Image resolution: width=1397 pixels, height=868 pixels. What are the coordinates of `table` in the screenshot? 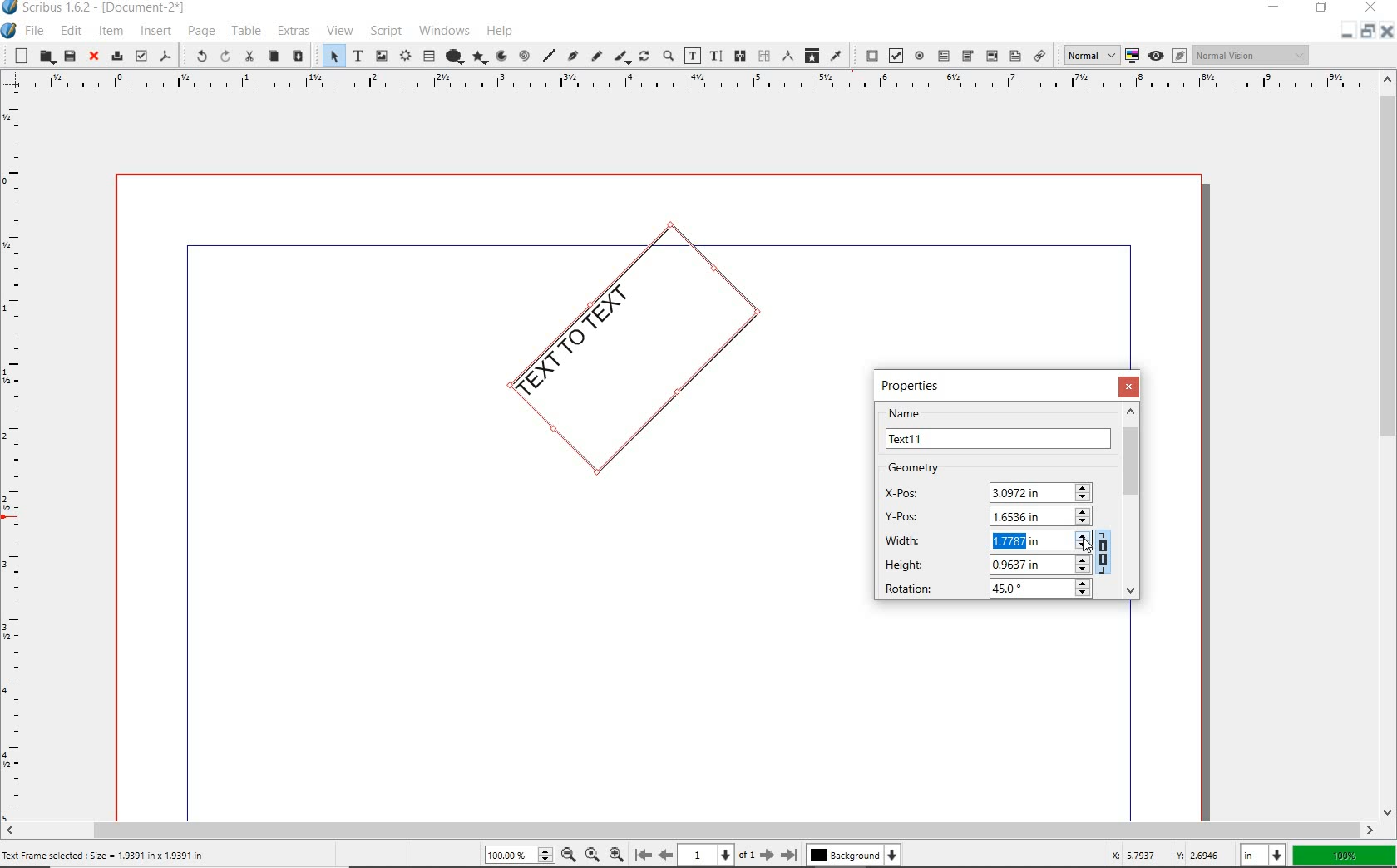 It's located at (428, 56).